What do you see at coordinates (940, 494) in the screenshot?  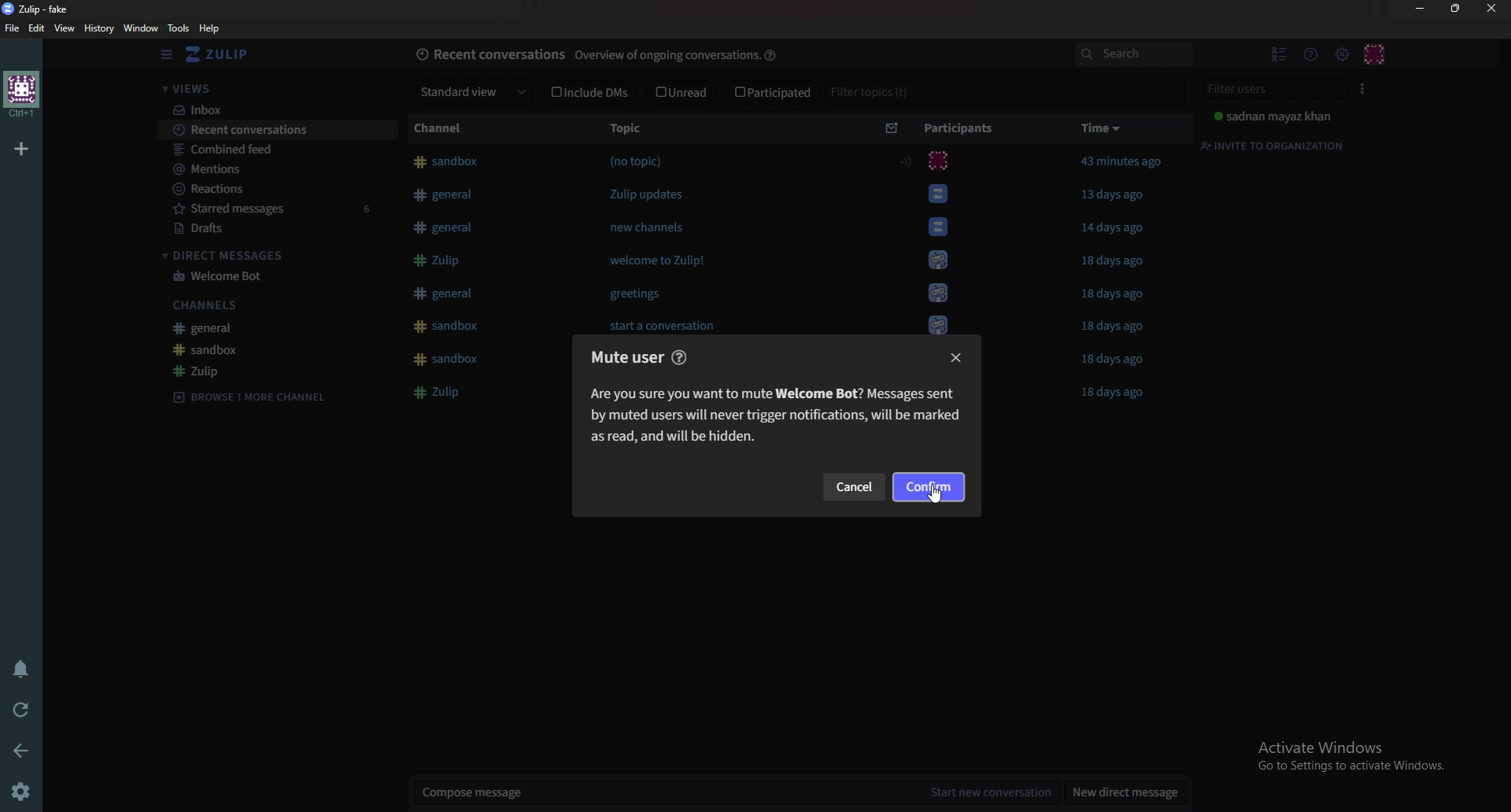 I see `cursor` at bounding box center [940, 494].